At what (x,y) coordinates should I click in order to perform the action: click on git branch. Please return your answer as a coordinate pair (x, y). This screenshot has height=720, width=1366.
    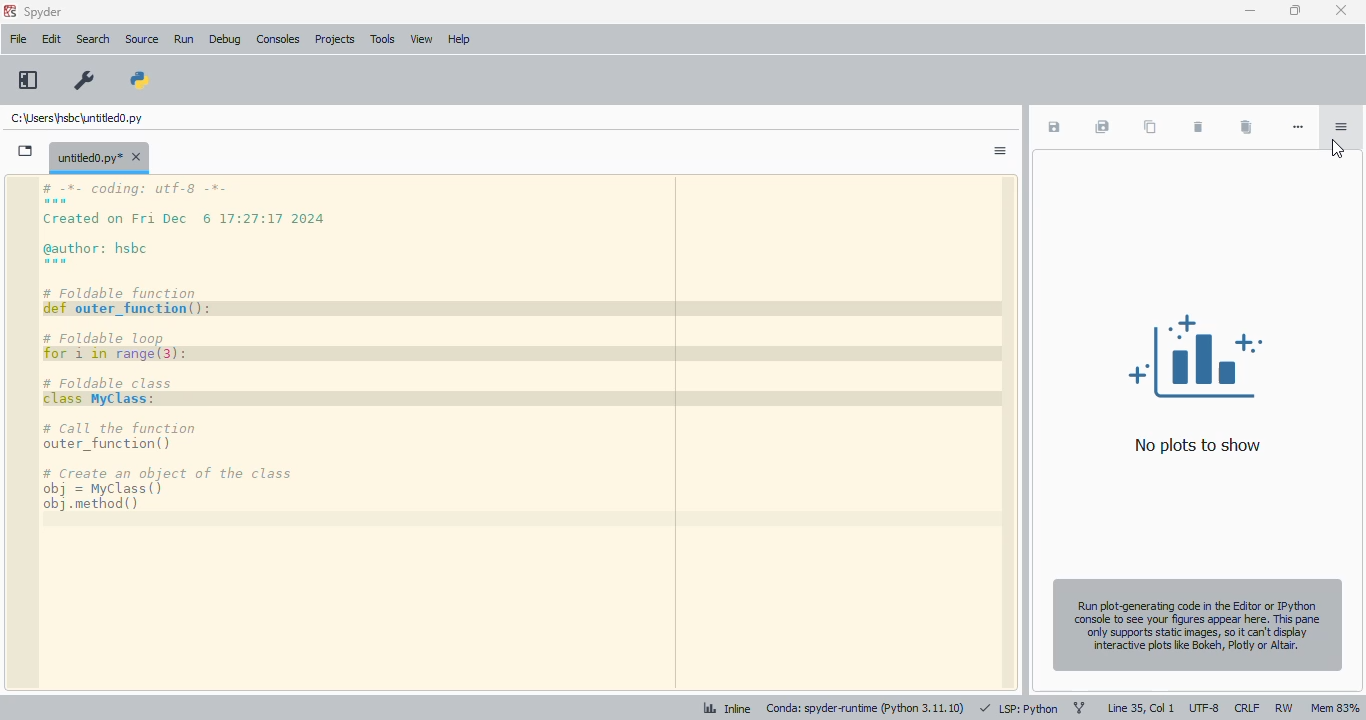
    Looking at the image, I should click on (1078, 709).